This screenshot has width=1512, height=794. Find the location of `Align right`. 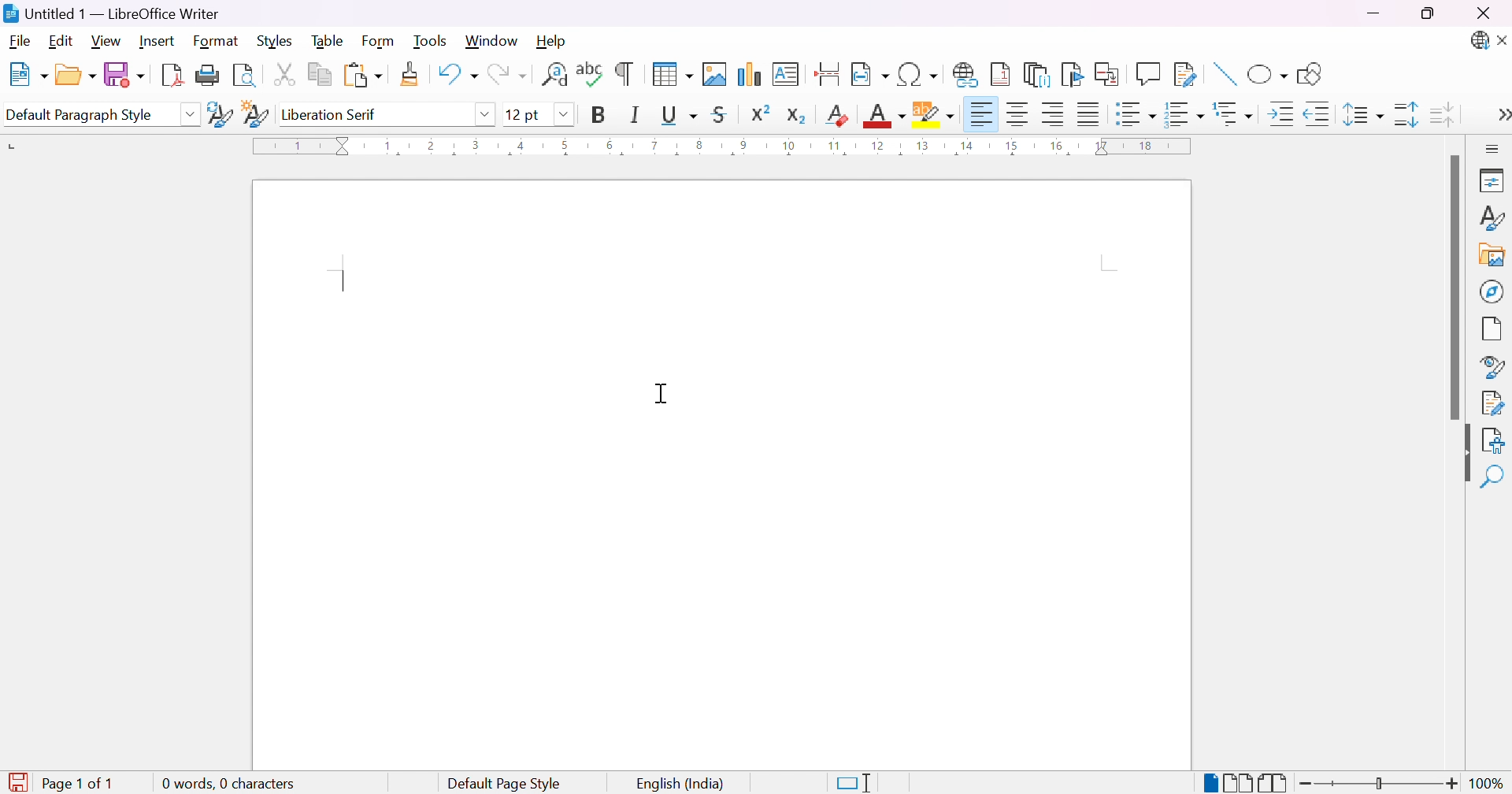

Align right is located at coordinates (1054, 115).